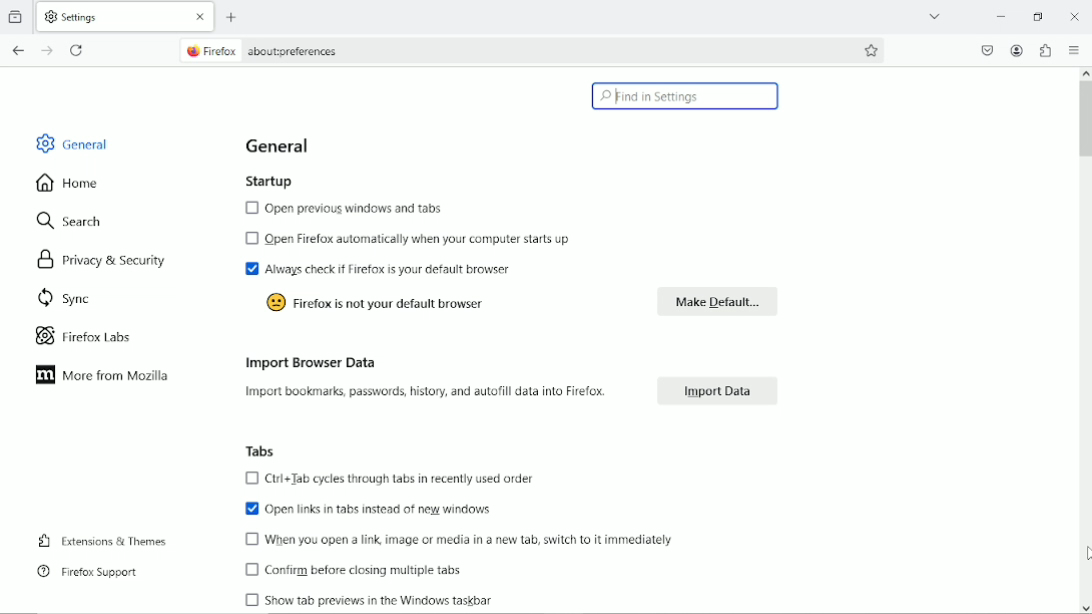 Image resolution: width=1092 pixels, height=614 pixels. What do you see at coordinates (472, 542) in the screenshot?
I see `When you open a link, image or media in a new tab switch to it immediately.` at bounding box center [472, 542].